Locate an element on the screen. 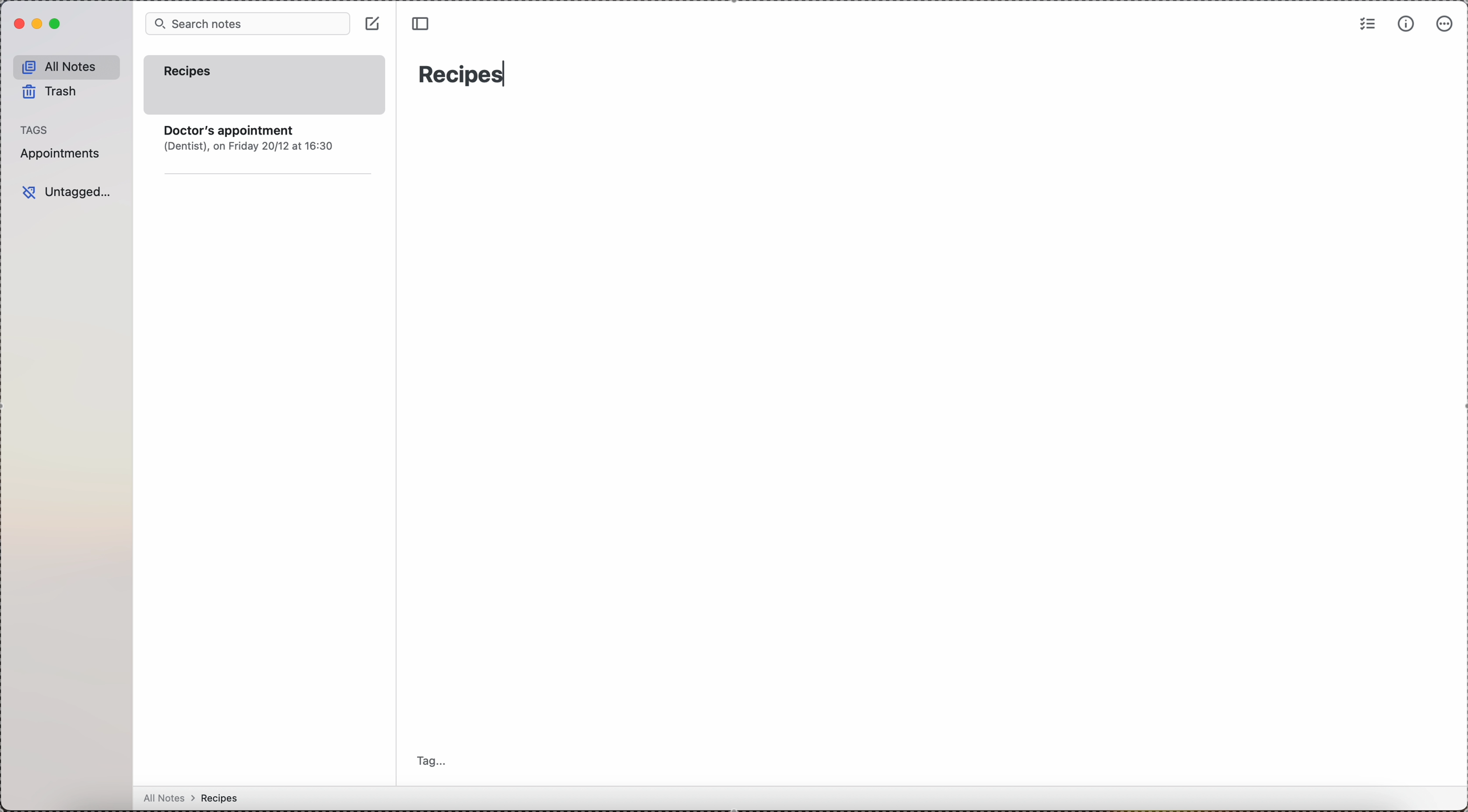  all notes is located at coordinates (67, 66).